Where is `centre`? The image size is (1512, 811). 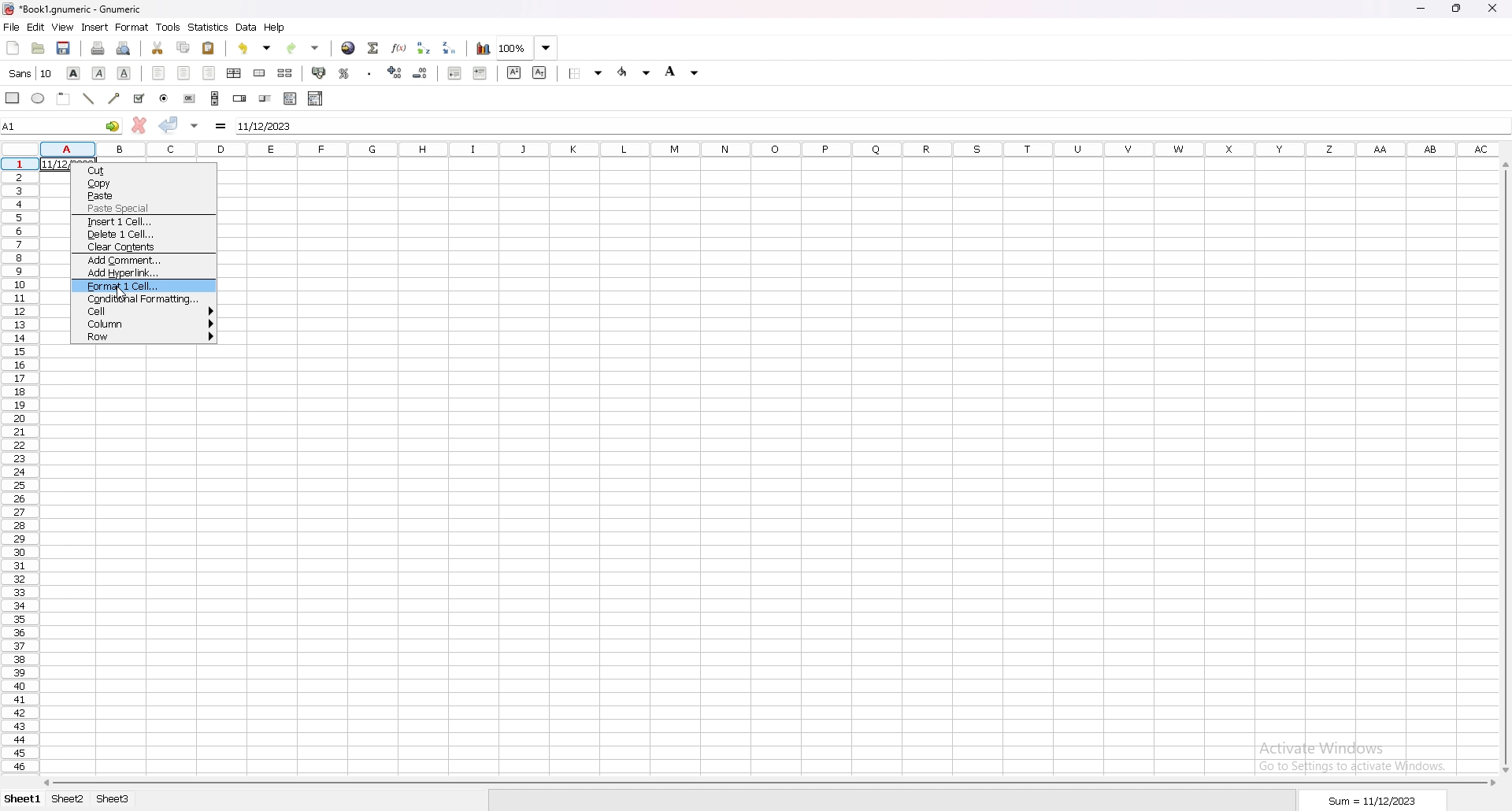
centre is located at coordinates (183, 72).